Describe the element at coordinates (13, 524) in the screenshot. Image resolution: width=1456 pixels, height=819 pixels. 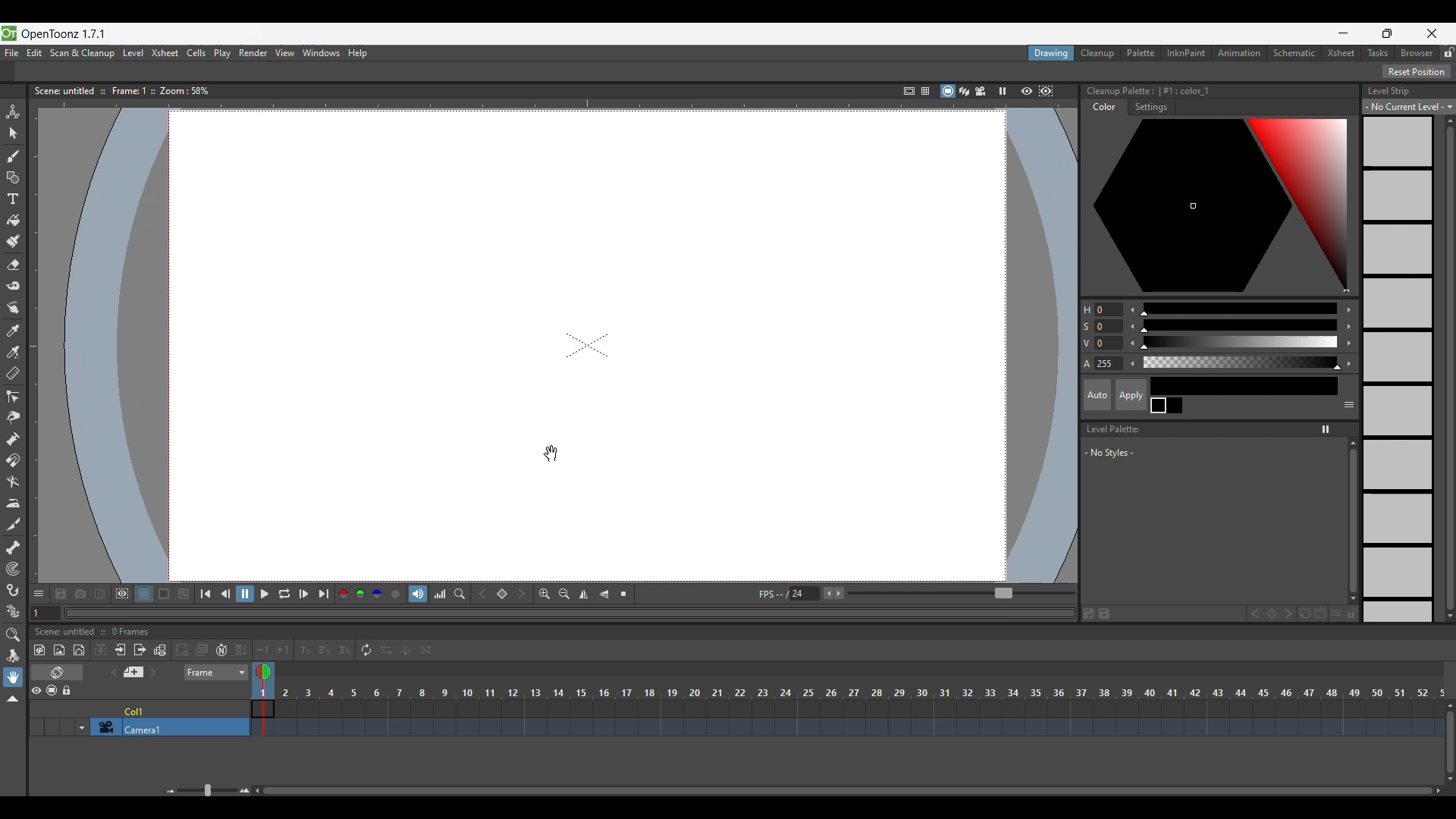
I see `Cutter tool` at that location.